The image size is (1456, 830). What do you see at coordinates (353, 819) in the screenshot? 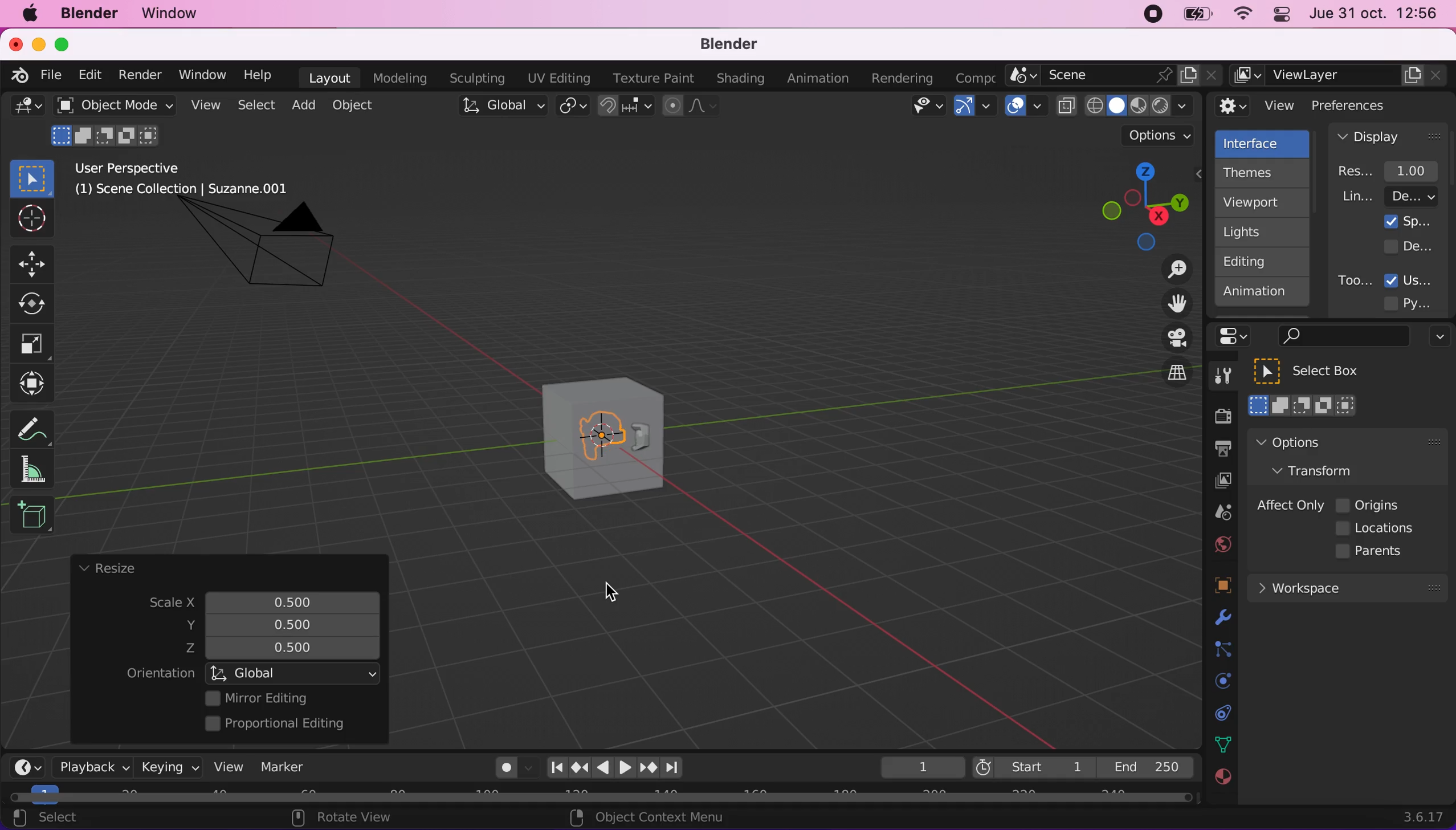
I see `rotate view` at bounding box center [353, 819].